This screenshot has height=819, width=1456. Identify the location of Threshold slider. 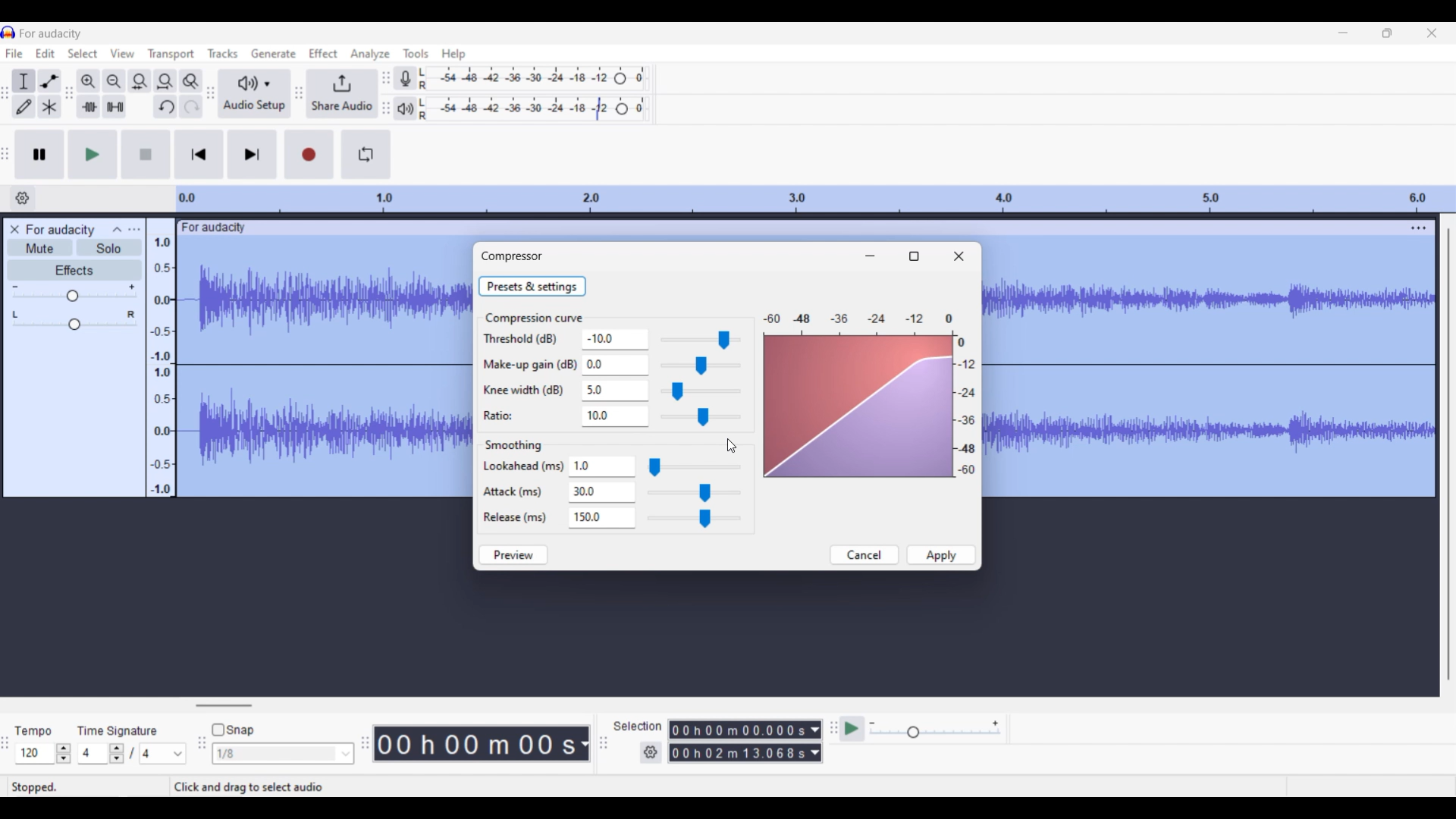
(698, 340).